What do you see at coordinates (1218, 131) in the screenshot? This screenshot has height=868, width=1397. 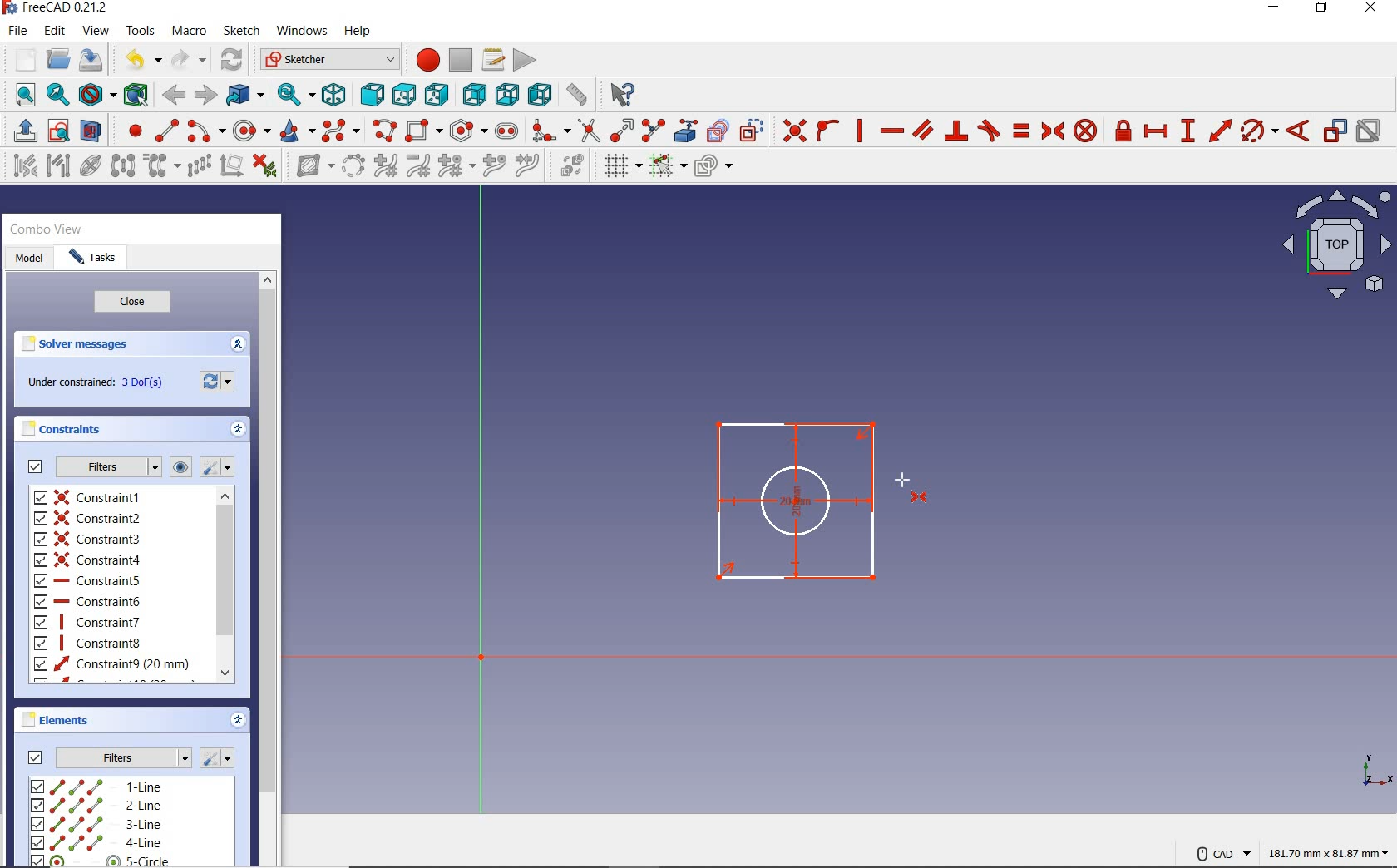 I see `constrain distance` at bounding box center [1218, 131].